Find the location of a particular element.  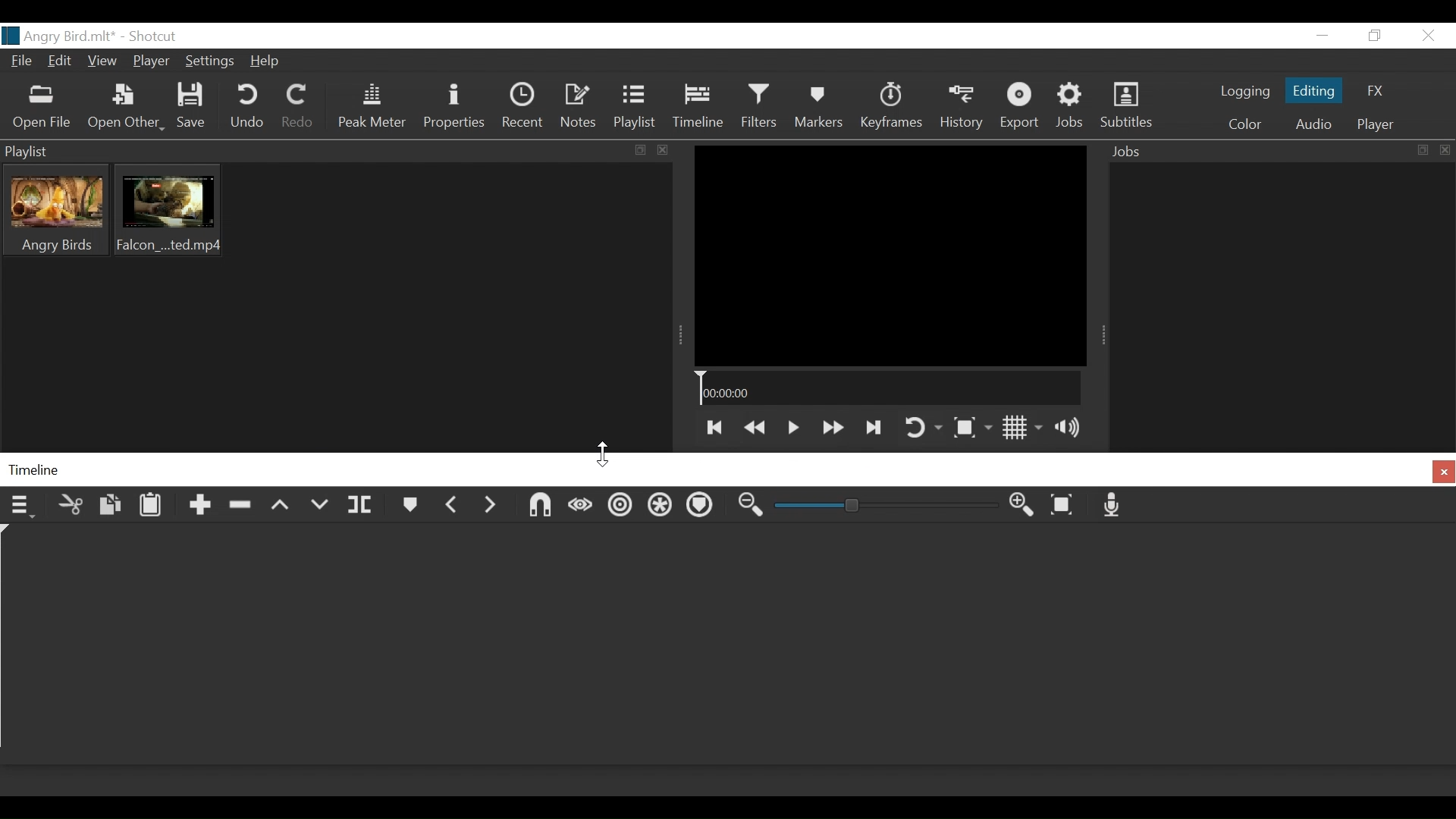

Subtitles is located at coordinates (1129, 106).